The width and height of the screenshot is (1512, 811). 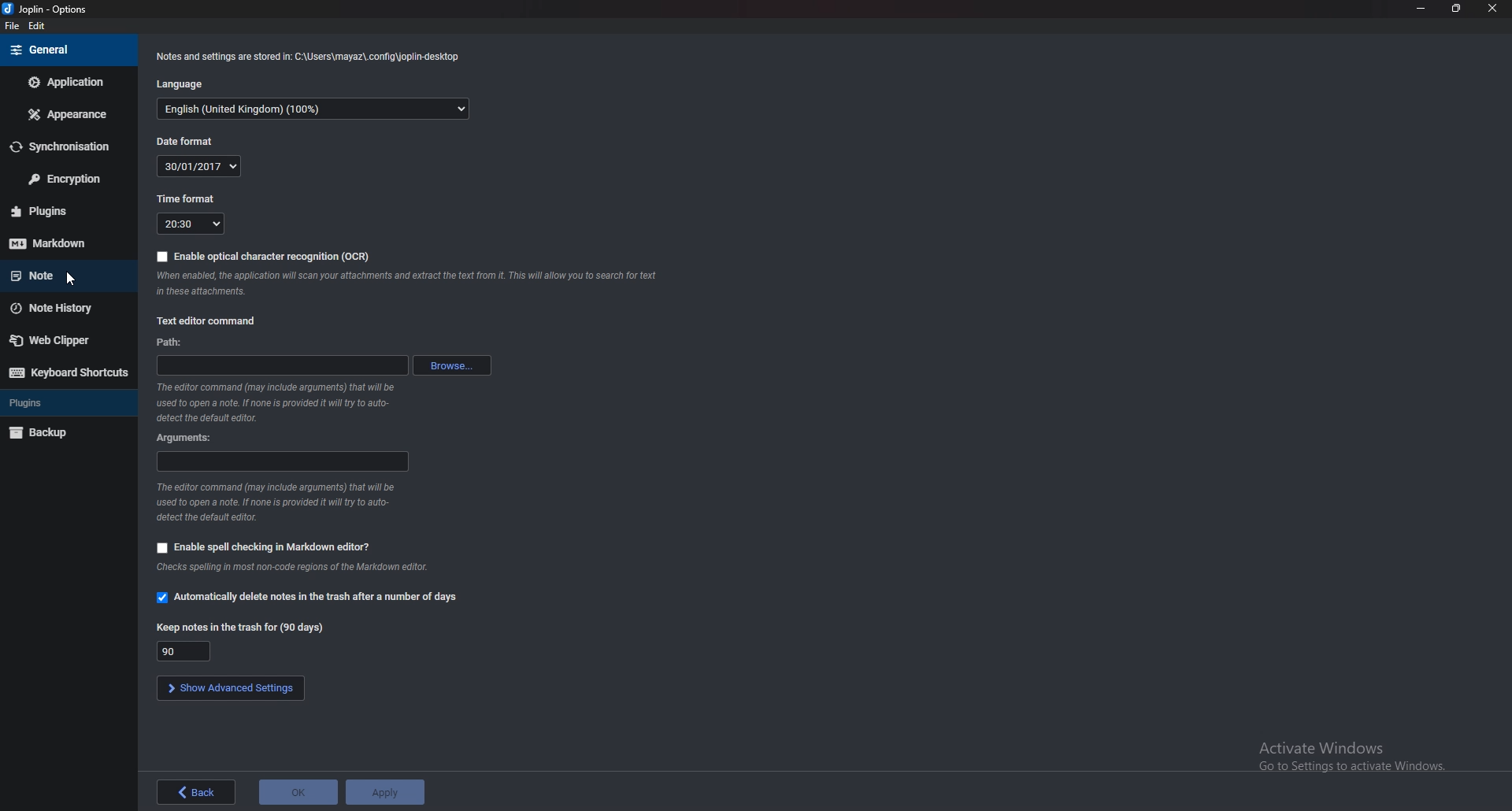 What do you see at coordinates (15, 29) in the screenshot?
I see `file` at bounding box center [15, 29].